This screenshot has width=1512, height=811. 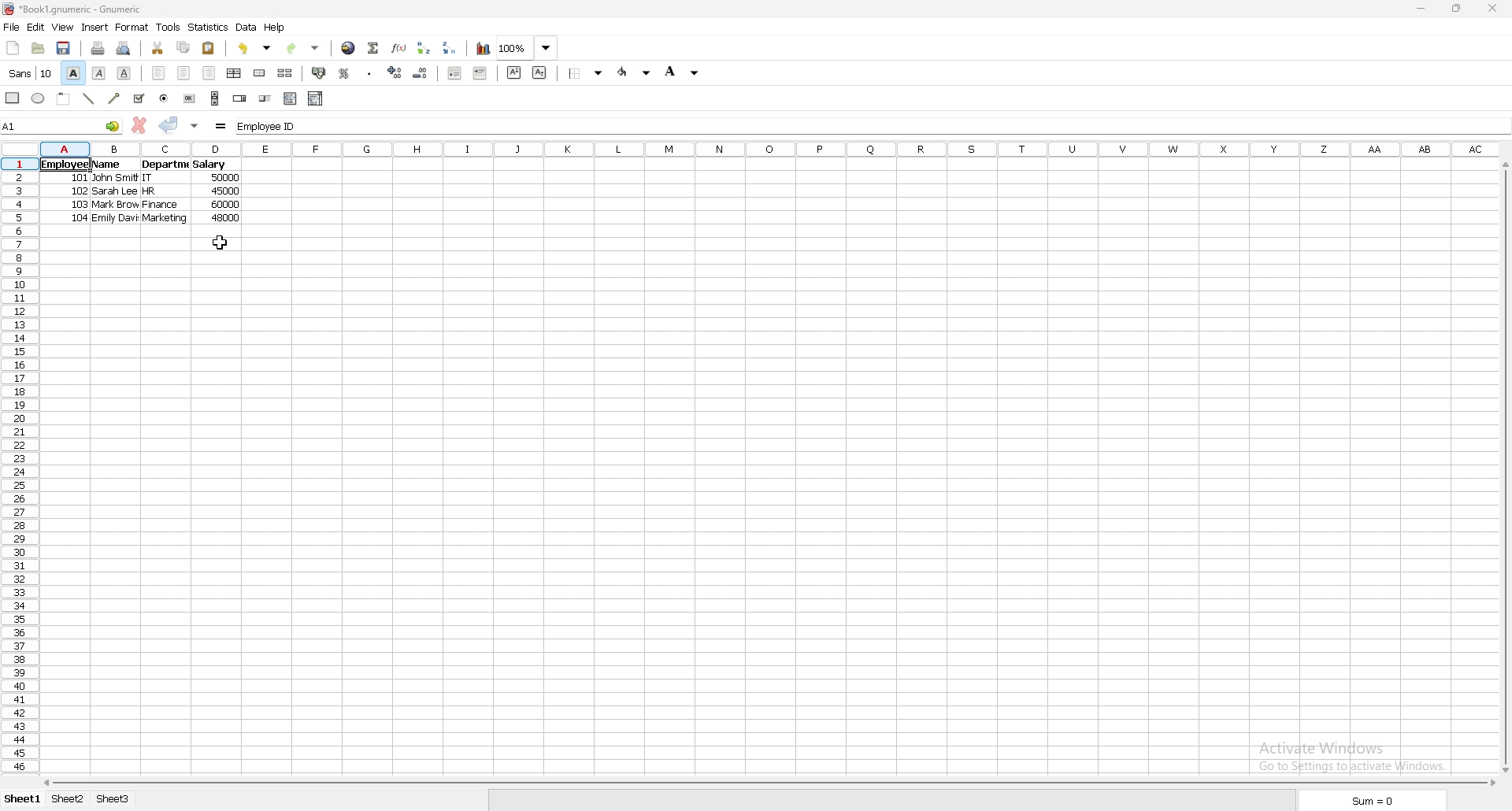 What do you see at coordinates (106, 165) in the screenshot?
I see `Name` at bounding box center [106, 165].